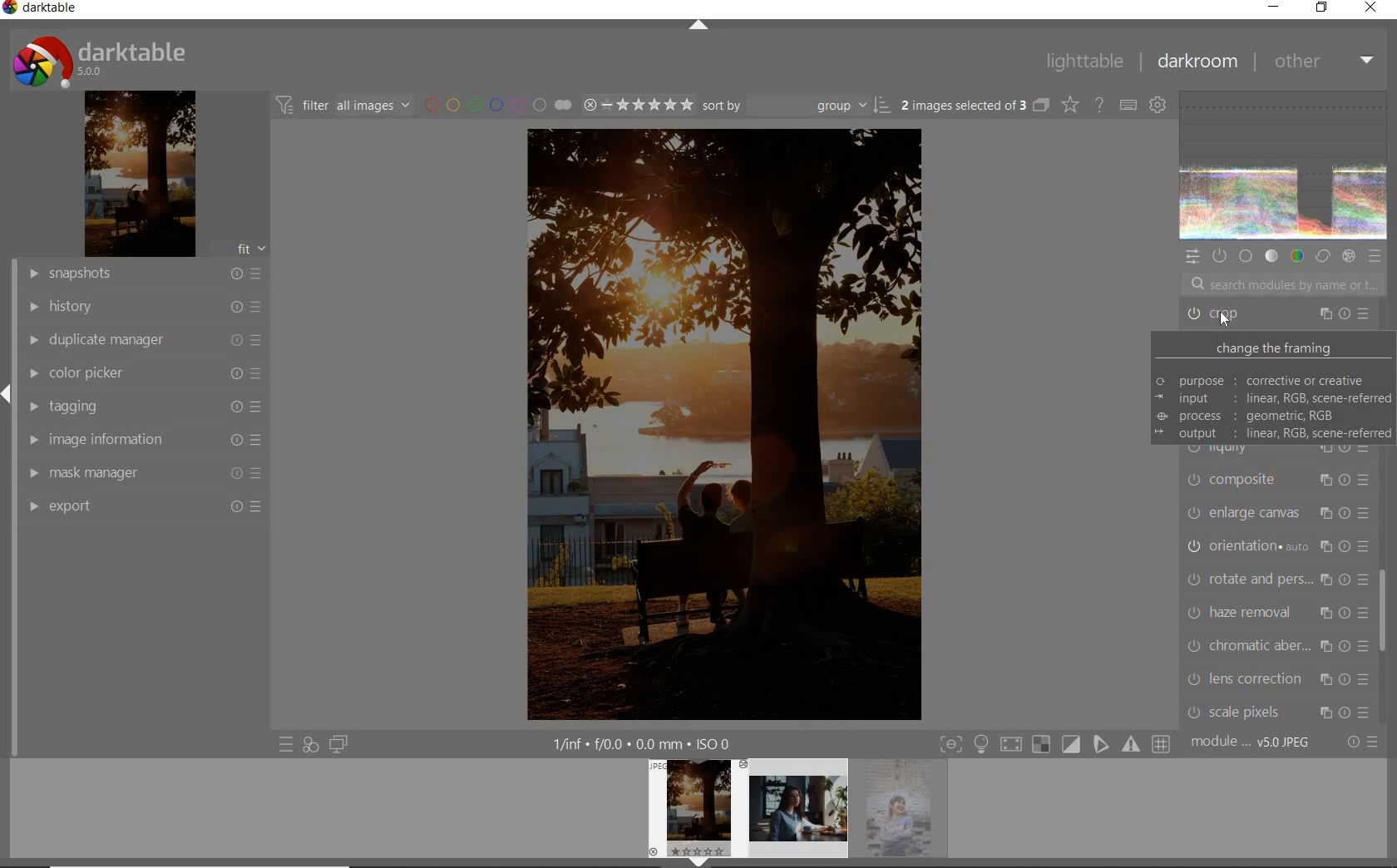  I want to click on collapse grouped images, so click(1041, 106).